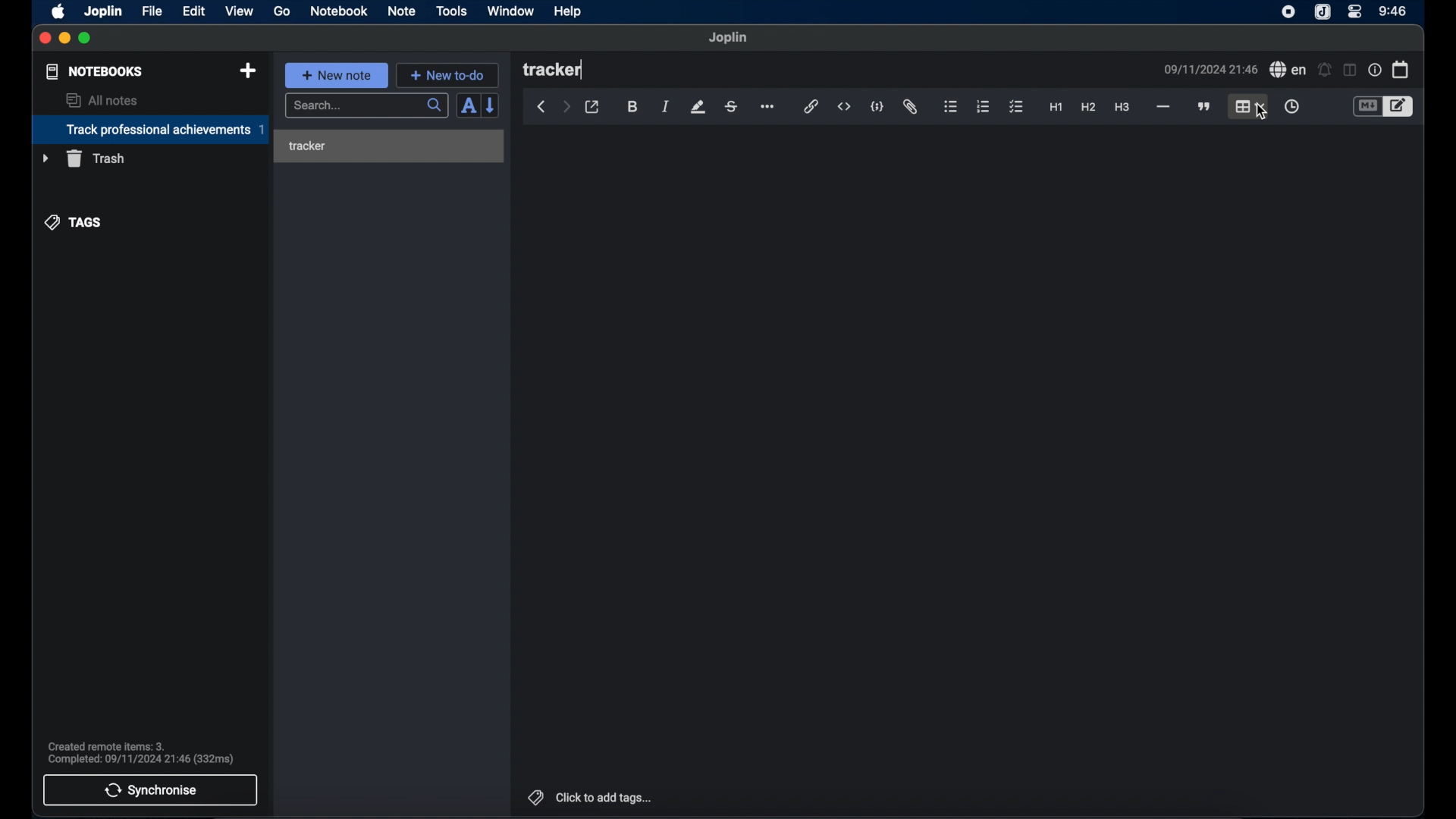  Describe the element at coordinates (878, 106) in the screenshot. I see `code` at that location.